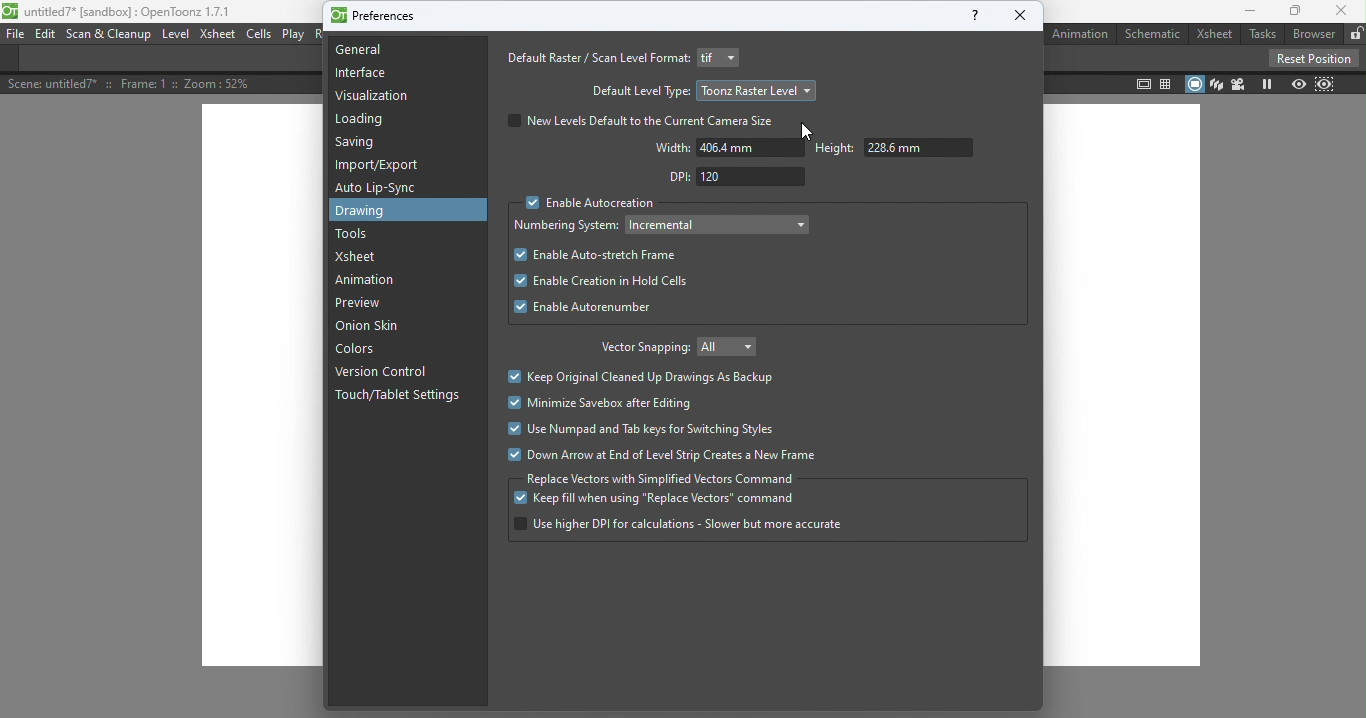 The height and width of the screenshot is (718, 1366). Describe the element at coordinates (1236, 84) in the screenshot. I see `Camera view` at that location.